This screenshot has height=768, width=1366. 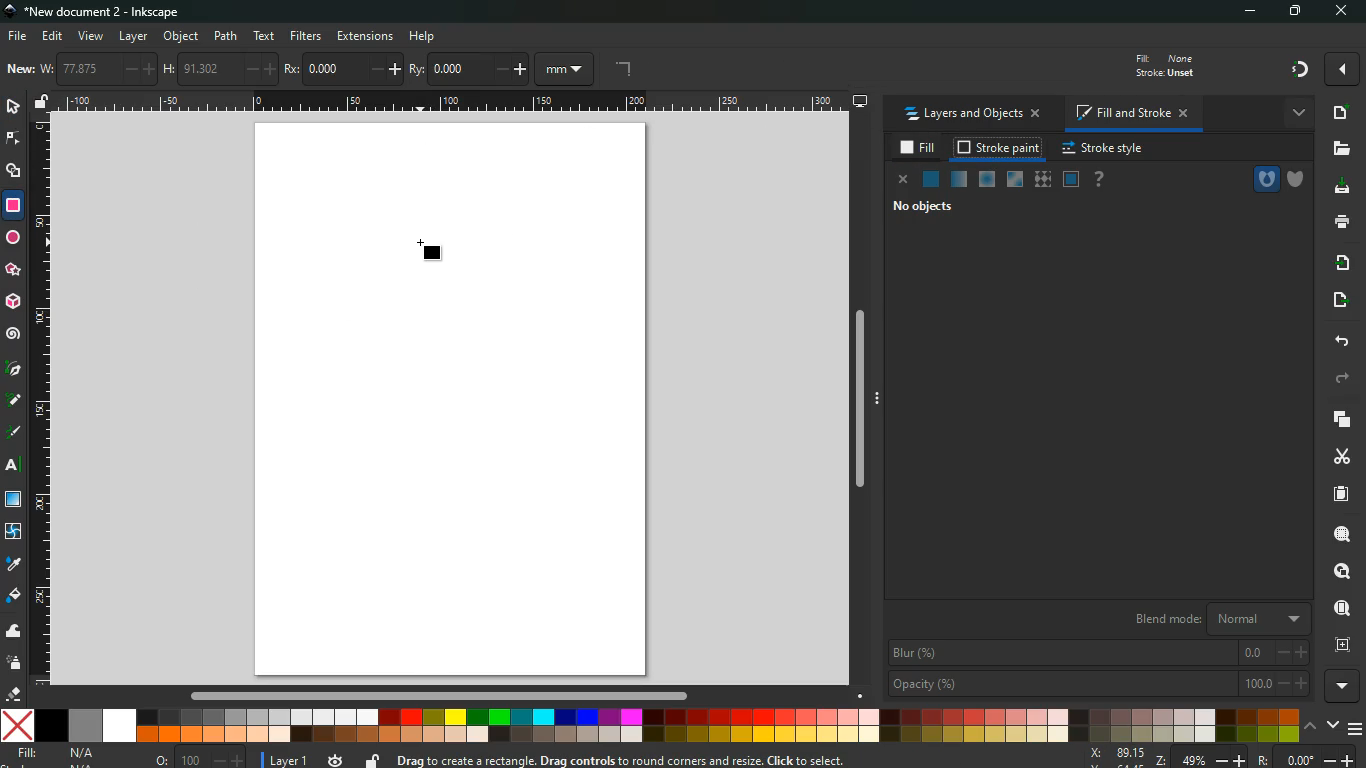 I want to click on more, so click(x=1344, y=69).